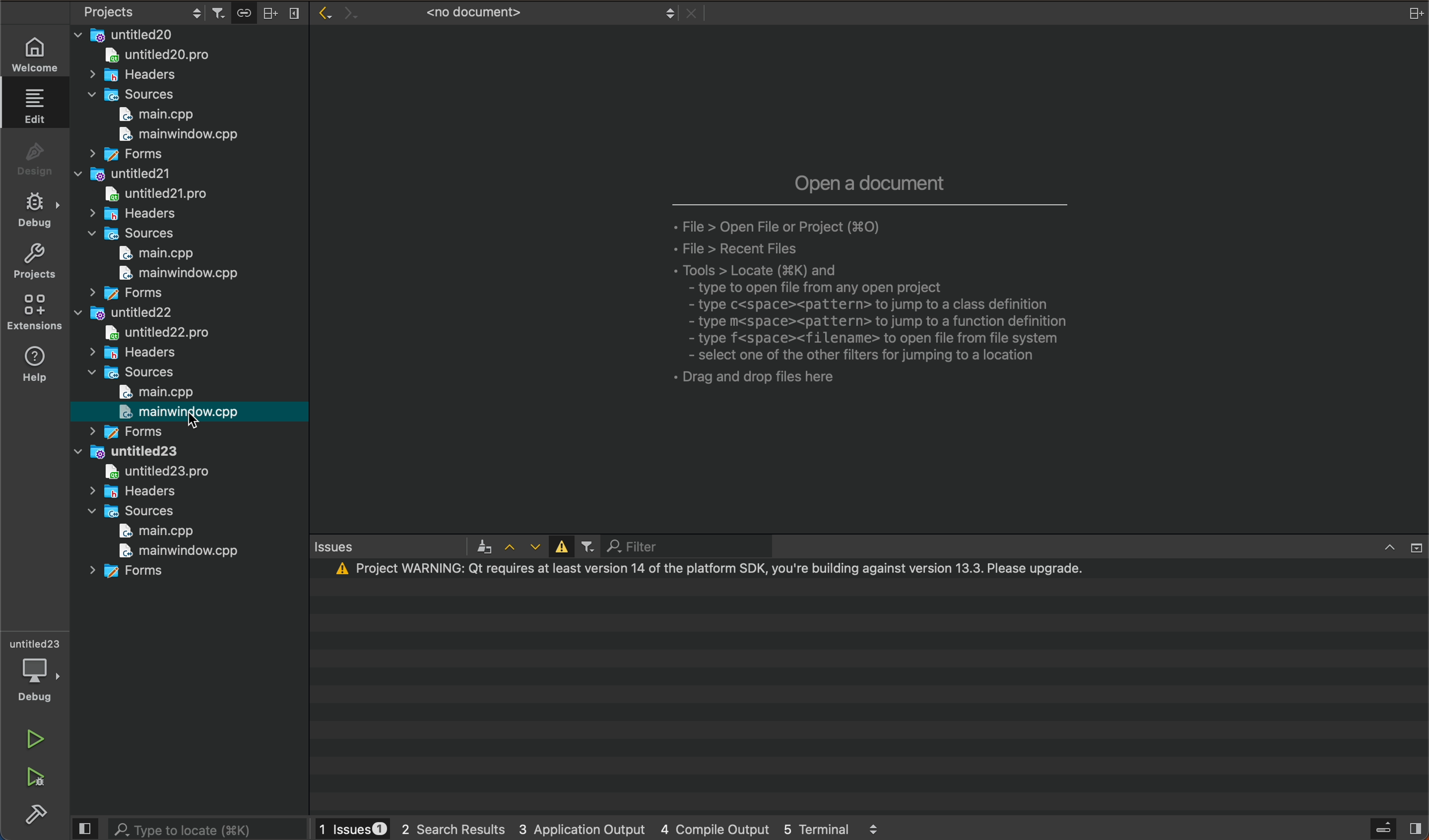 Image resolution: width=1429 pixels, height=840 pixels. What do you see at coordinates (153, 531) in the screenshot?
I see `msin.cpp` at bounding box center [153, 531].